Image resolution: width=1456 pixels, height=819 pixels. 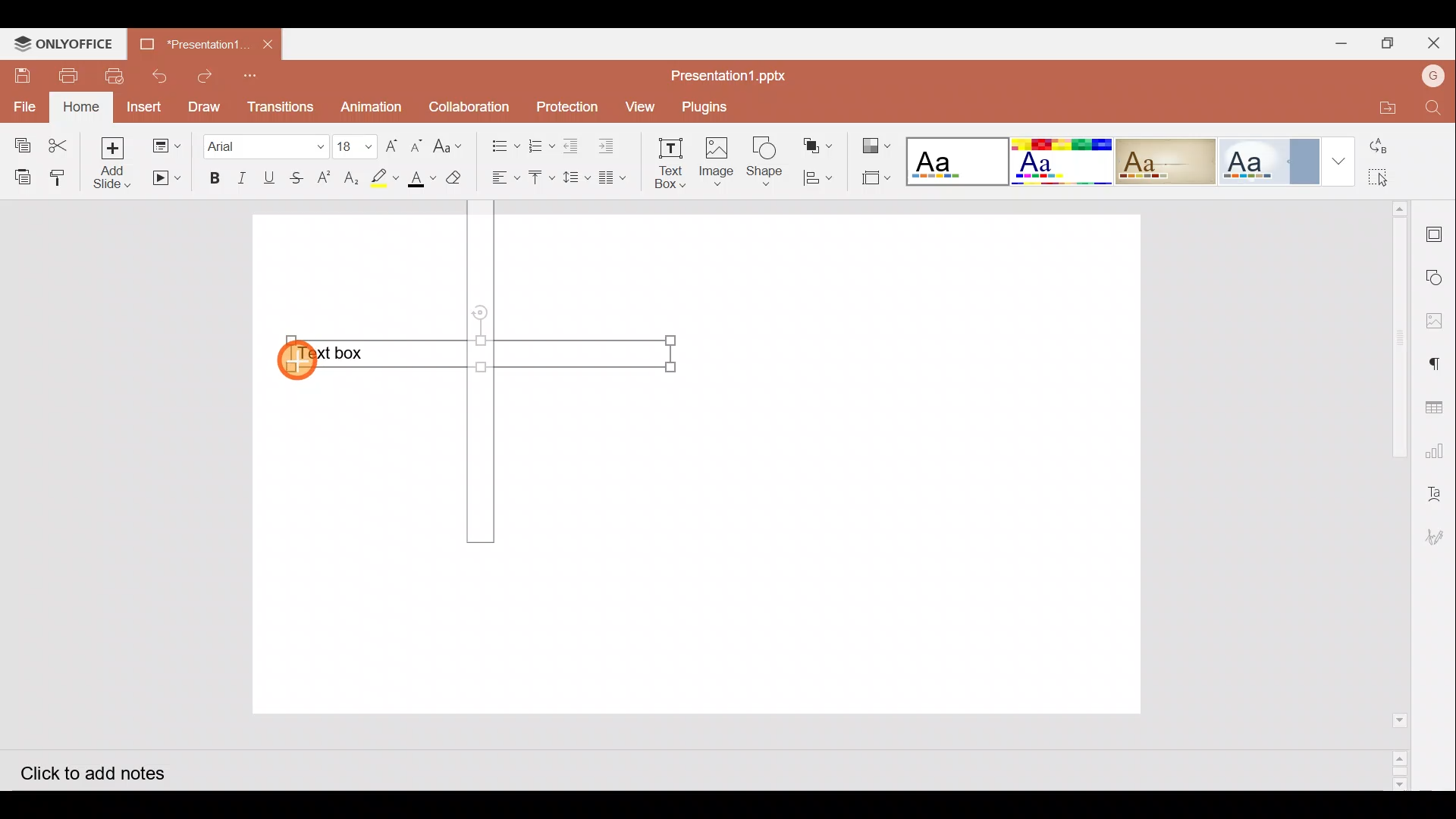 What do you see at coordinates (328, 179) in the screenshot?
I see `Superscript` at bounding box center [328, 179].